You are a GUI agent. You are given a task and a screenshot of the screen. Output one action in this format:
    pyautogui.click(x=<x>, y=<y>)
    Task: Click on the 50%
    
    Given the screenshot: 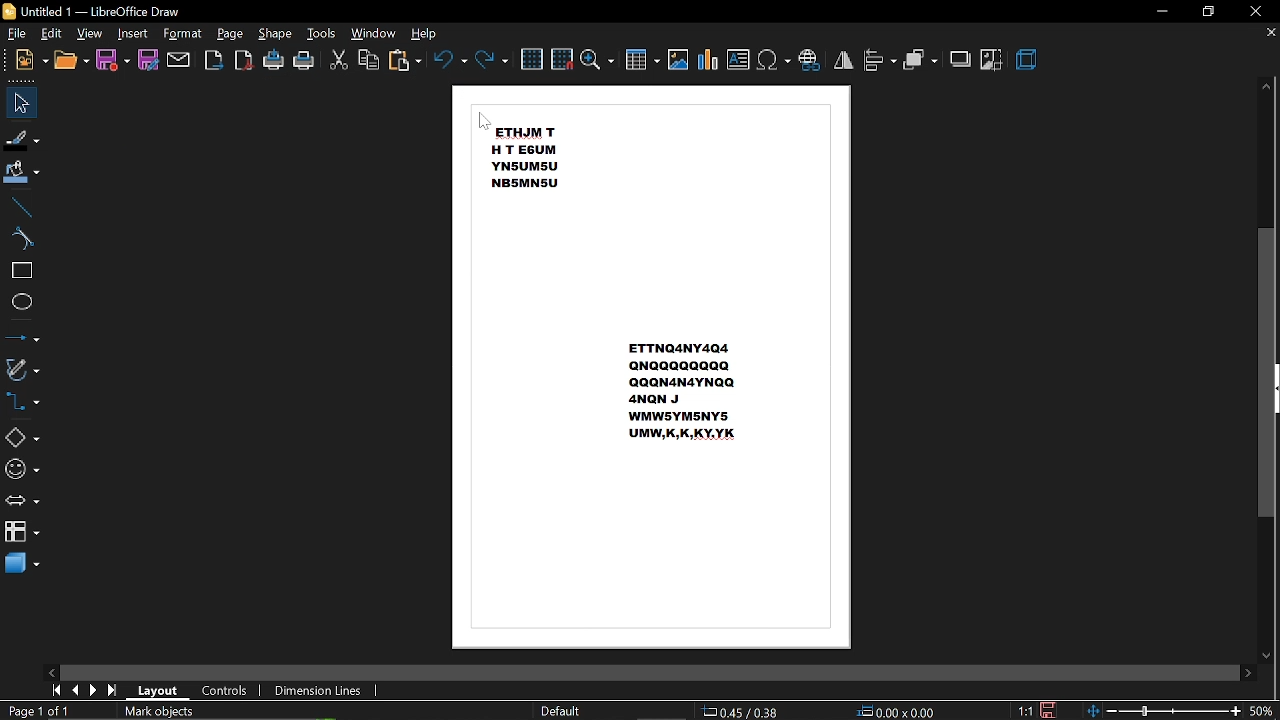 What is the action you would take?
    pyautogui.click(x=1262, y=712)
    